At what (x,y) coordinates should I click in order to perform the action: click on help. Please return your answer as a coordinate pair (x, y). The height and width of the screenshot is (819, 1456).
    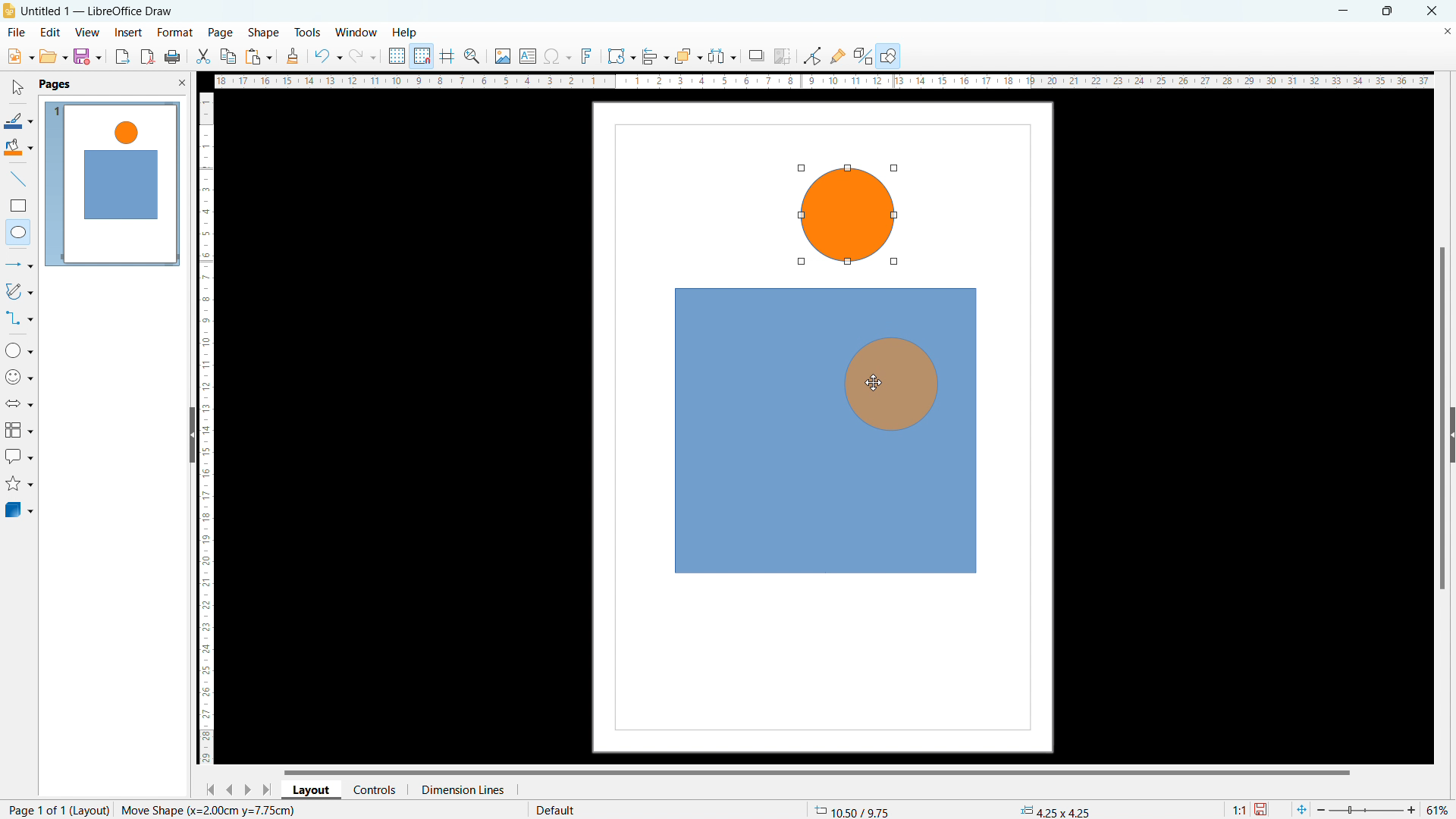
    Looking at the image, I should click on (406, 33).